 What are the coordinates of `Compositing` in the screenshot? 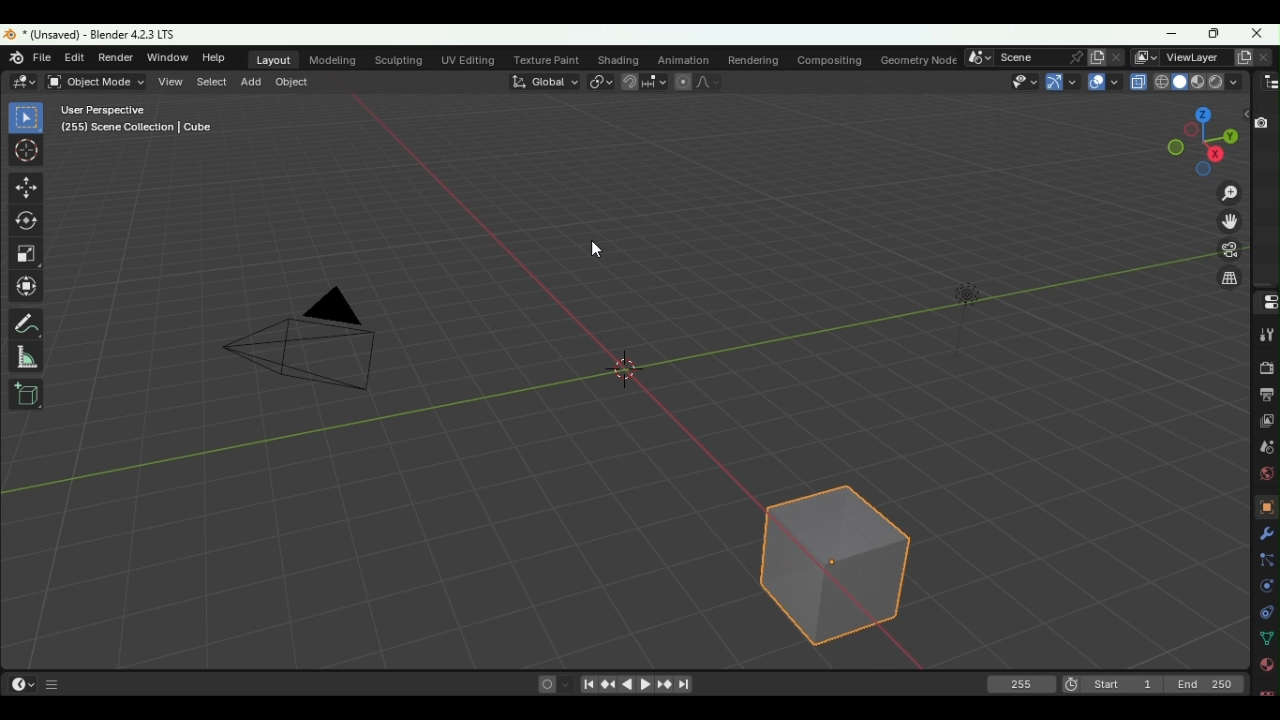 It's located at (829, 59).